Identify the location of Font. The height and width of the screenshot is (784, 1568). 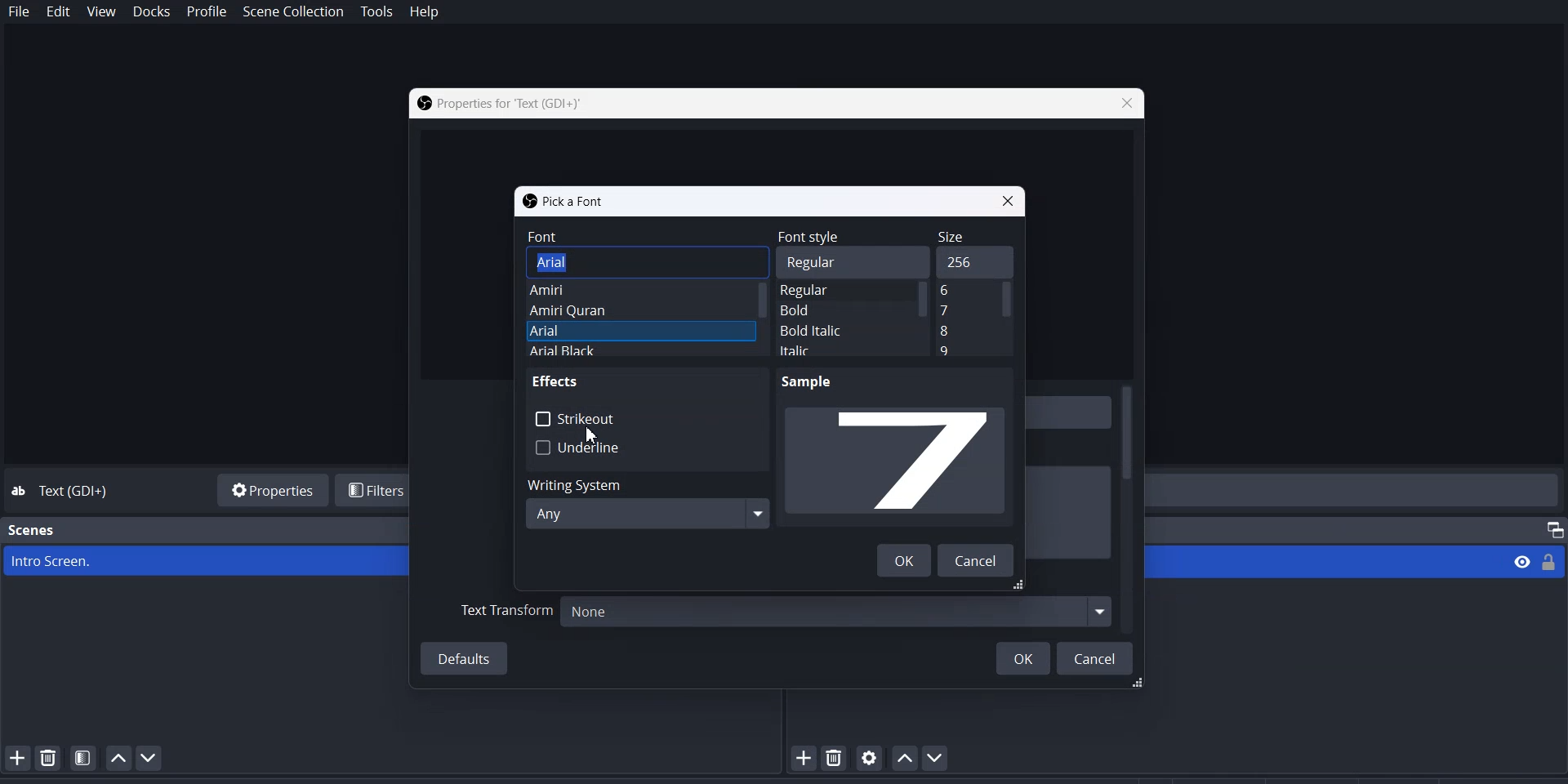
(645, 236).